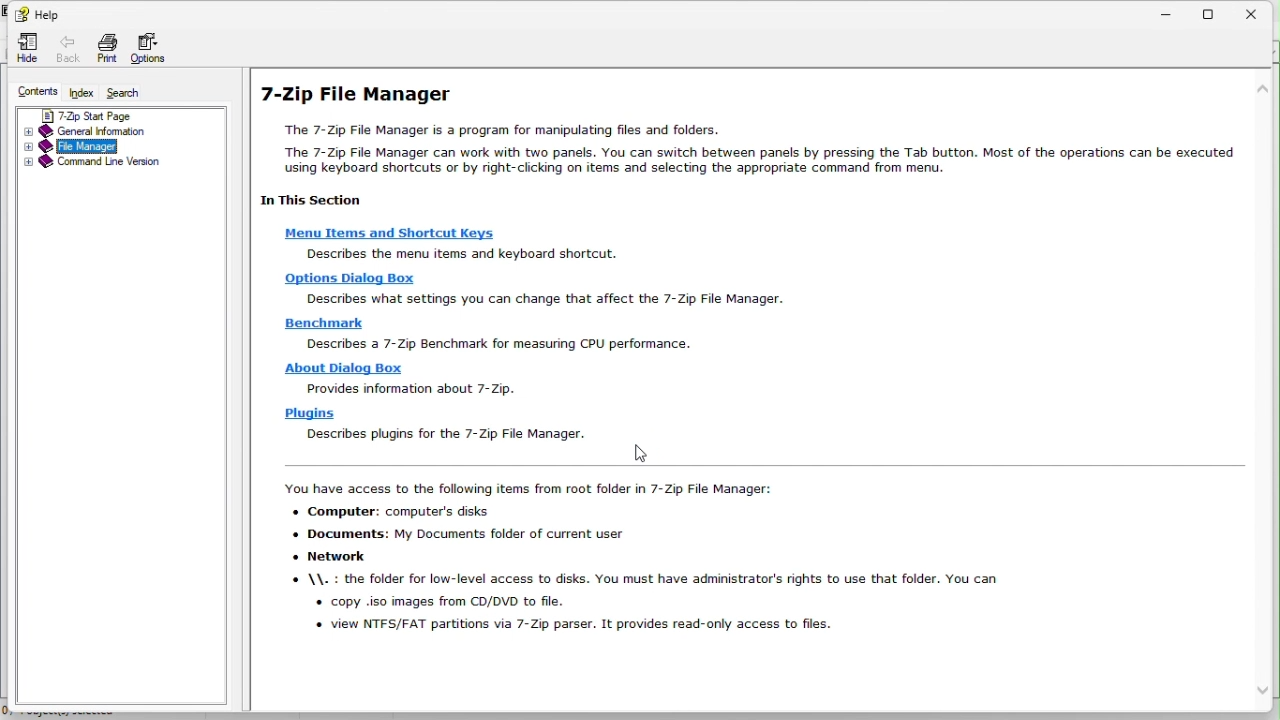 The height and width of the screenshot is (720, 1280). I want to click on In this selection, so click(314, 205).